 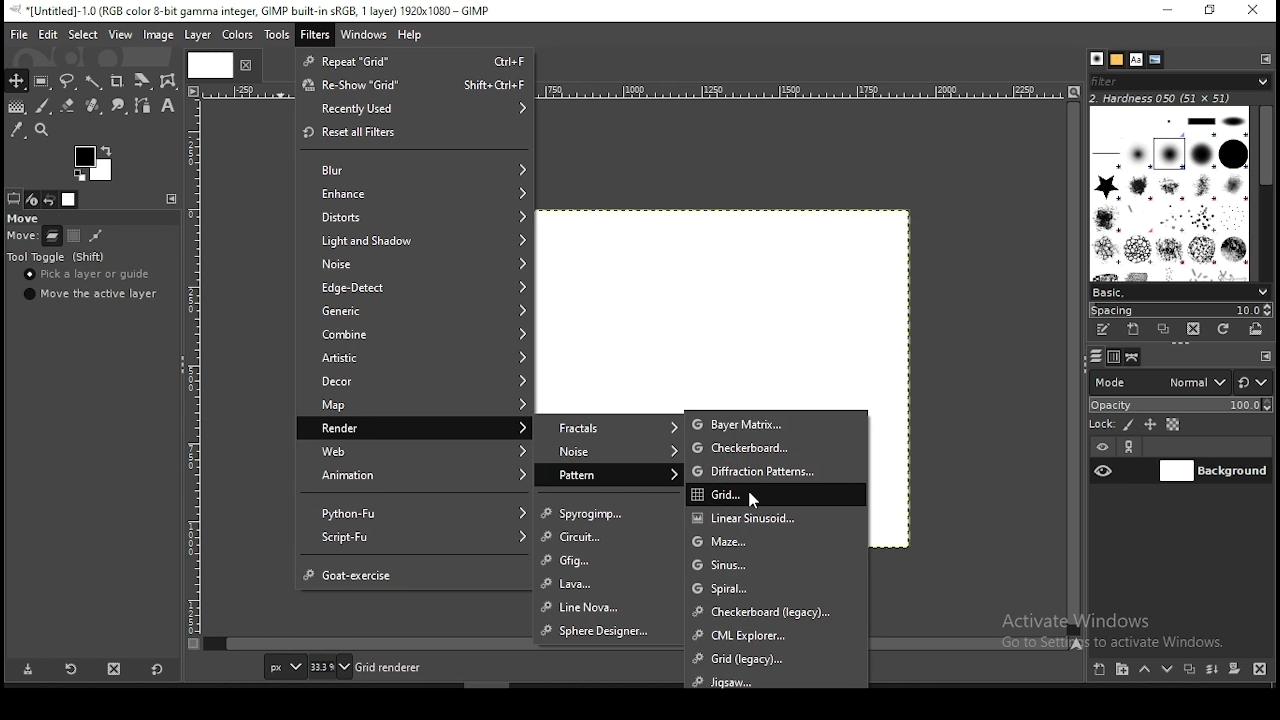 What do you see at coordinates (140, 82) in the screenshot?
I see `crop tool` at bounding box center [140, 82].